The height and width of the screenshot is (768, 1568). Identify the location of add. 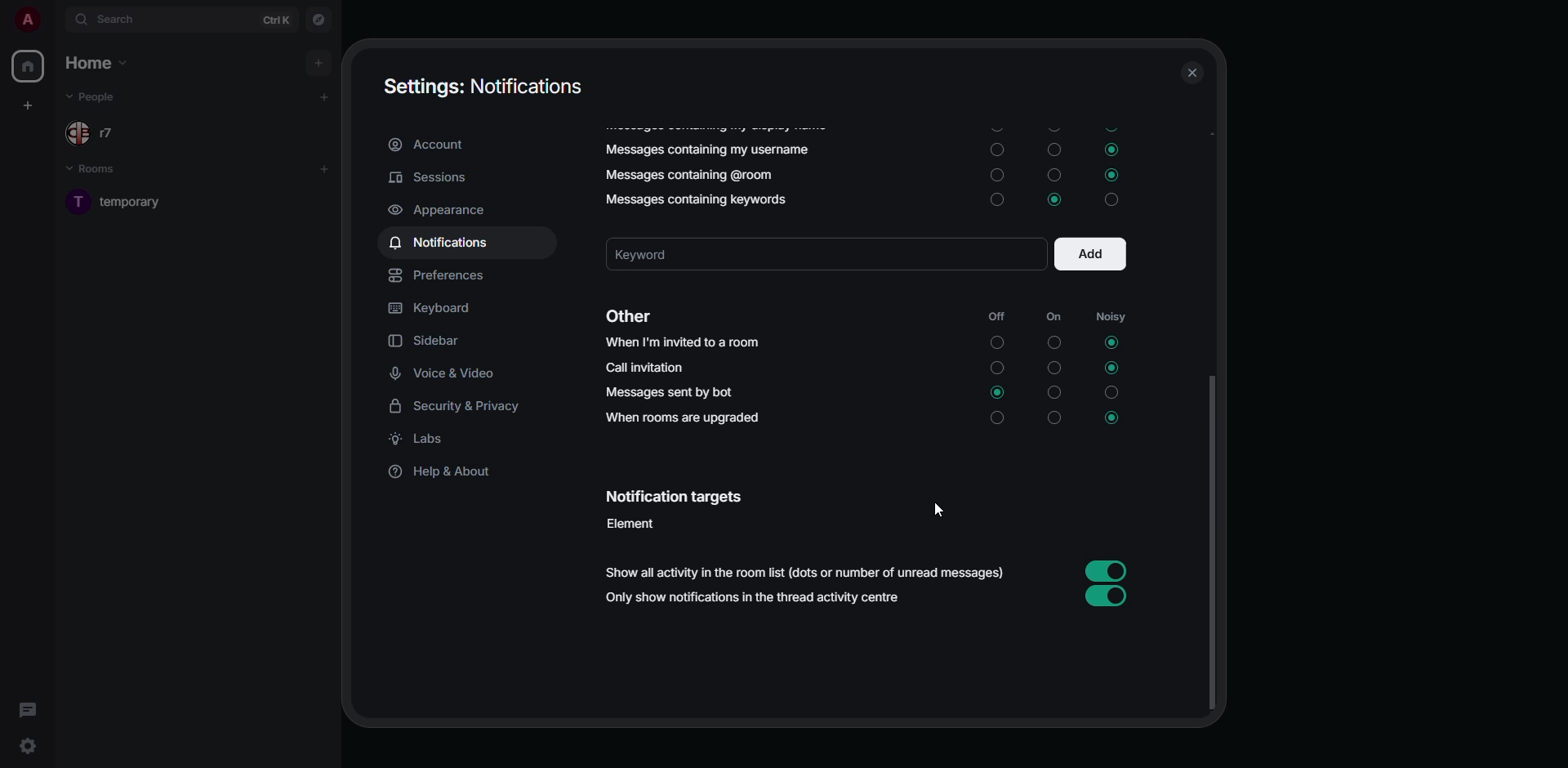
(326, 96).